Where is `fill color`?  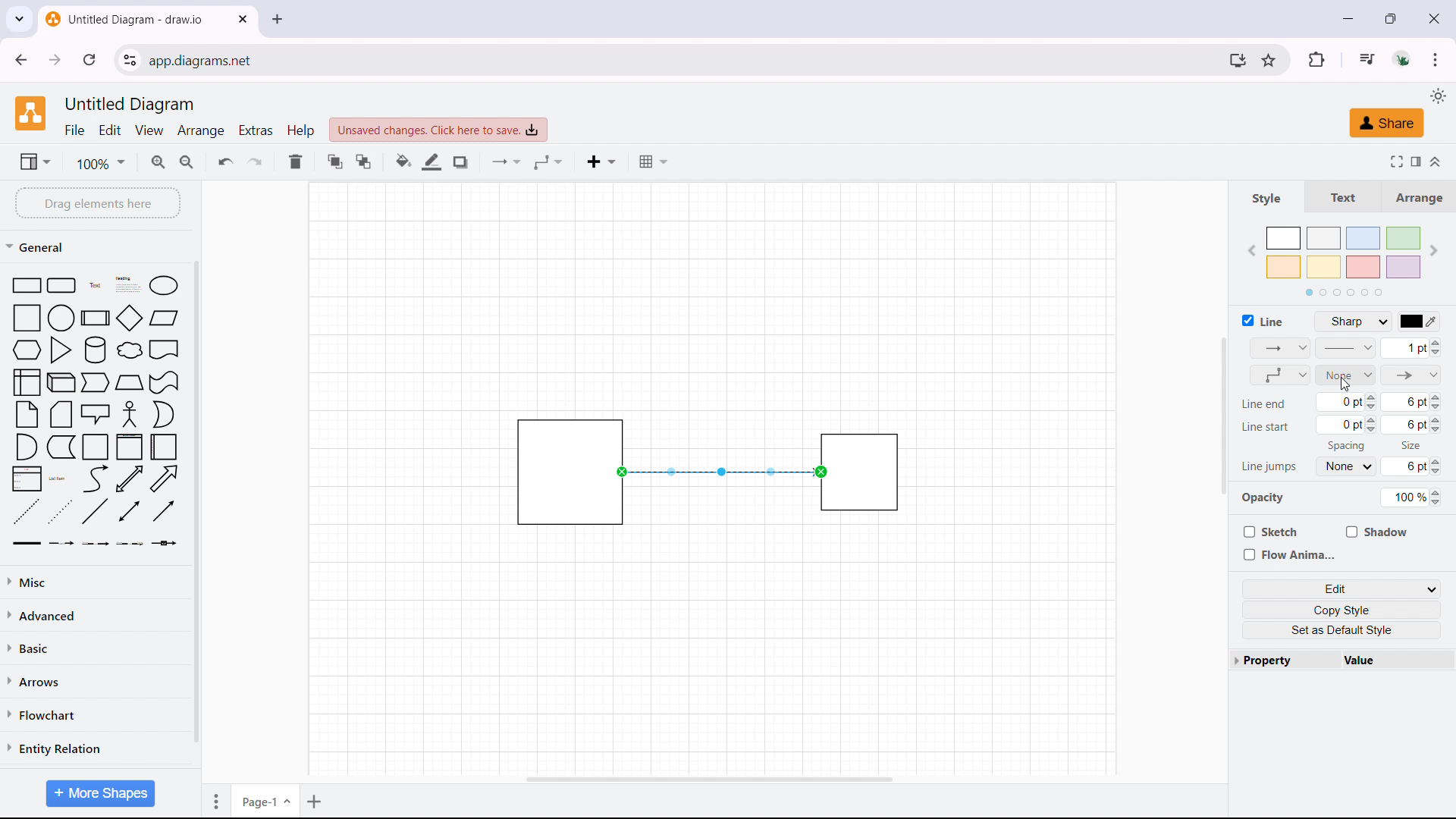 fill color is located at coordinates (403, 162).